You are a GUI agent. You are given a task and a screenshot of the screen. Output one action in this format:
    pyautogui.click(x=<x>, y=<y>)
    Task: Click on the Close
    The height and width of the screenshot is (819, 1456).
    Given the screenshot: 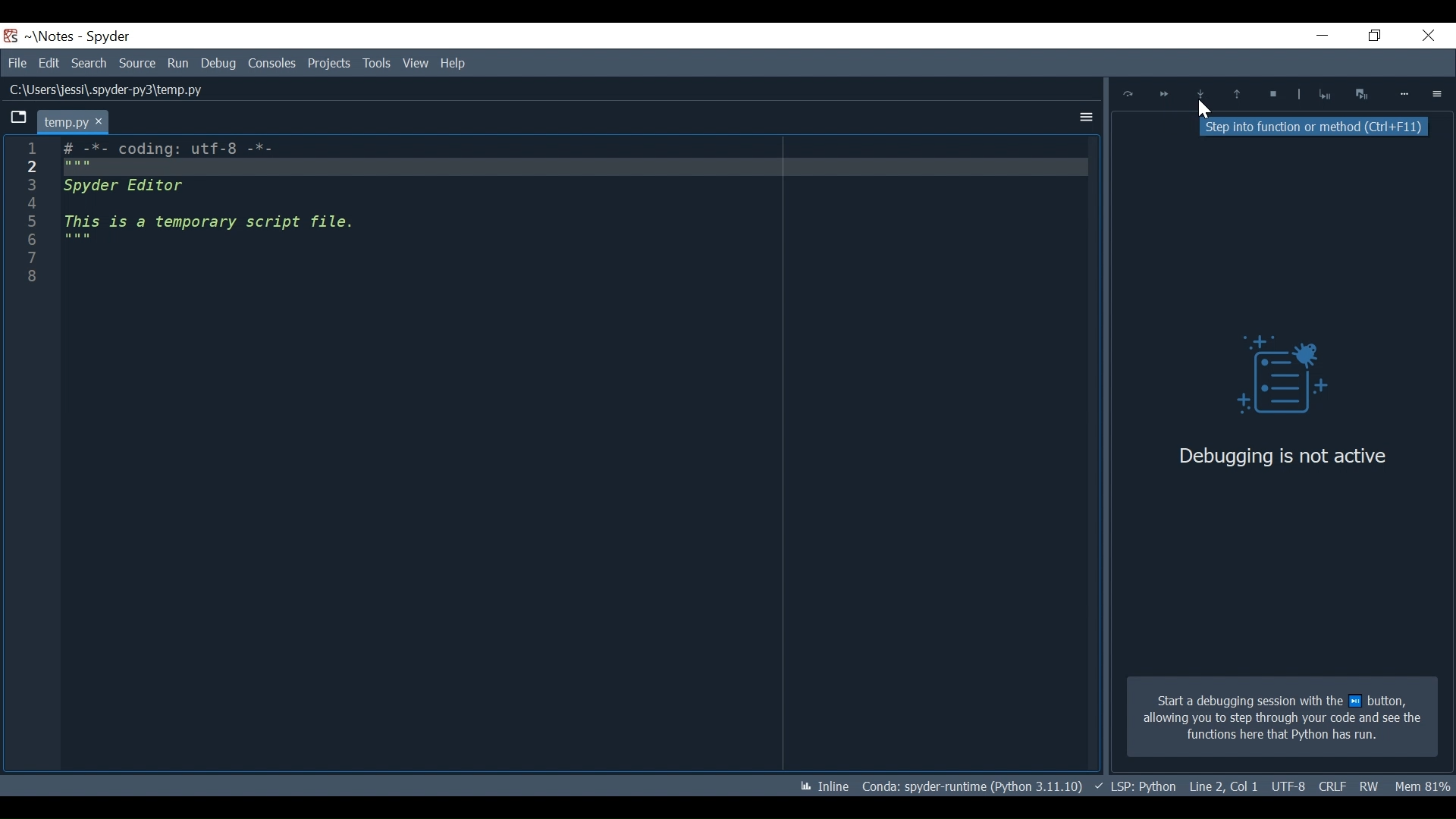 What is the action you would take?
    pyautogui.click(x=1425, y=37)
    